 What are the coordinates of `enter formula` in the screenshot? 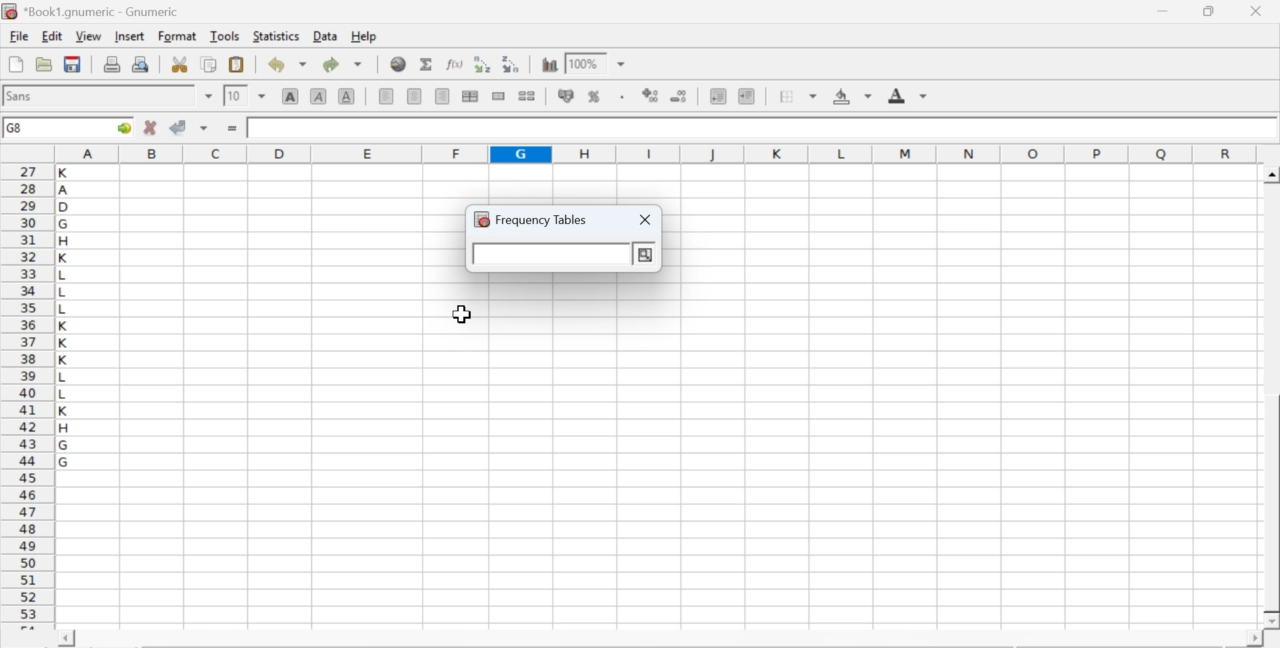 It's located at (234, 129).